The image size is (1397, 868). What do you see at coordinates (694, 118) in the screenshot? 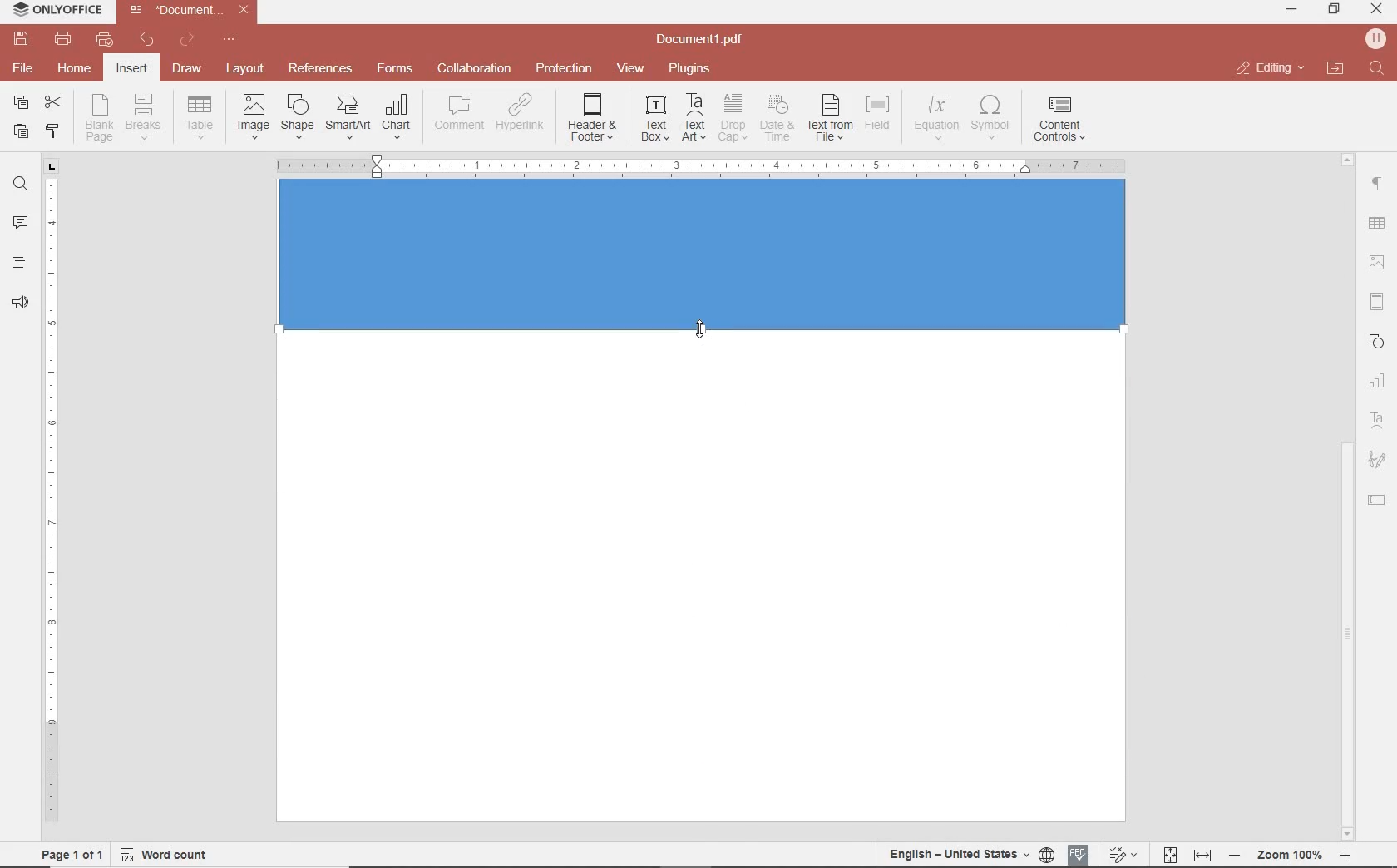
I see `INSERT TEXT ART` at bounding box center [694, 118].